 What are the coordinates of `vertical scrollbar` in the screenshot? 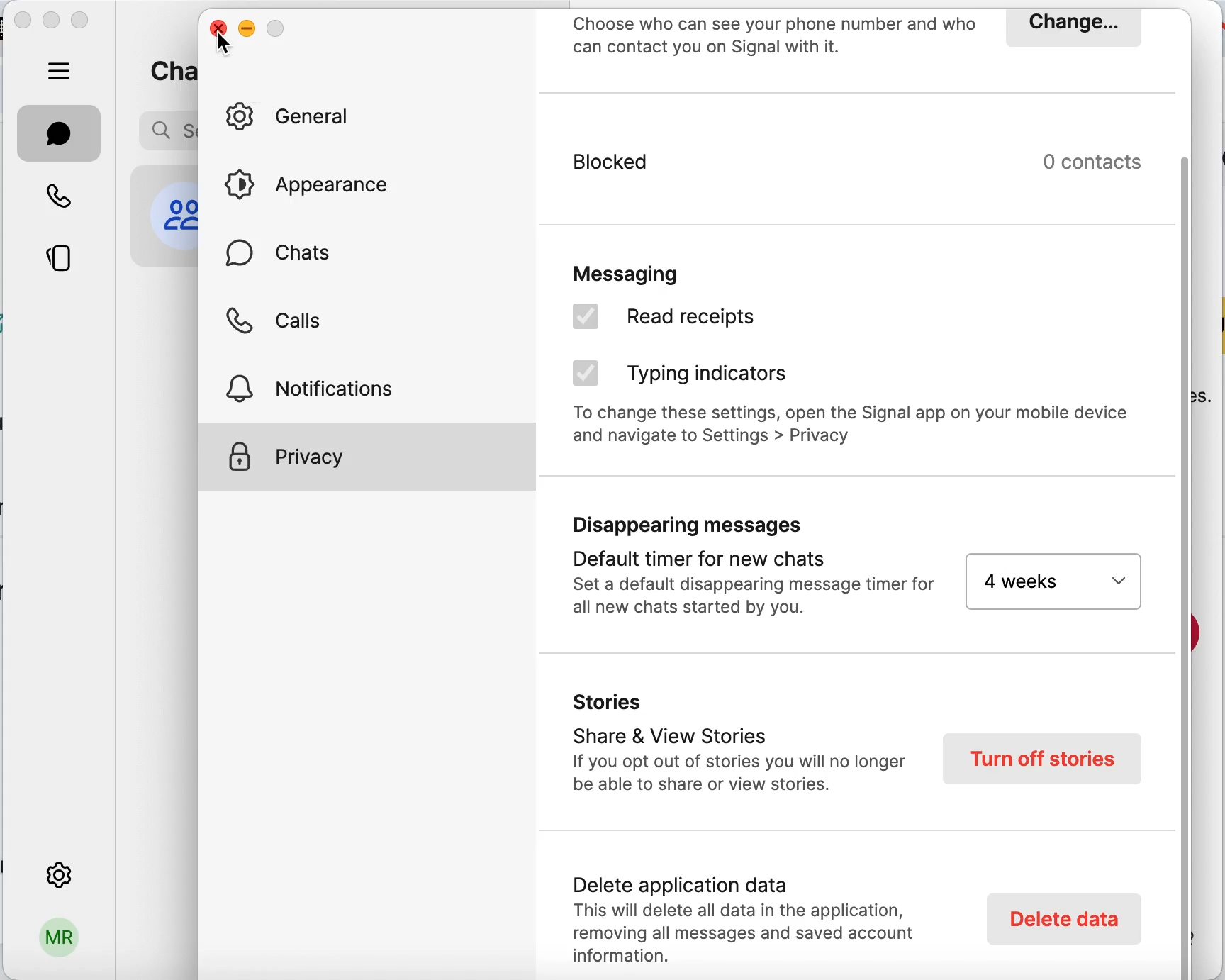 It's located at (1190, 565).